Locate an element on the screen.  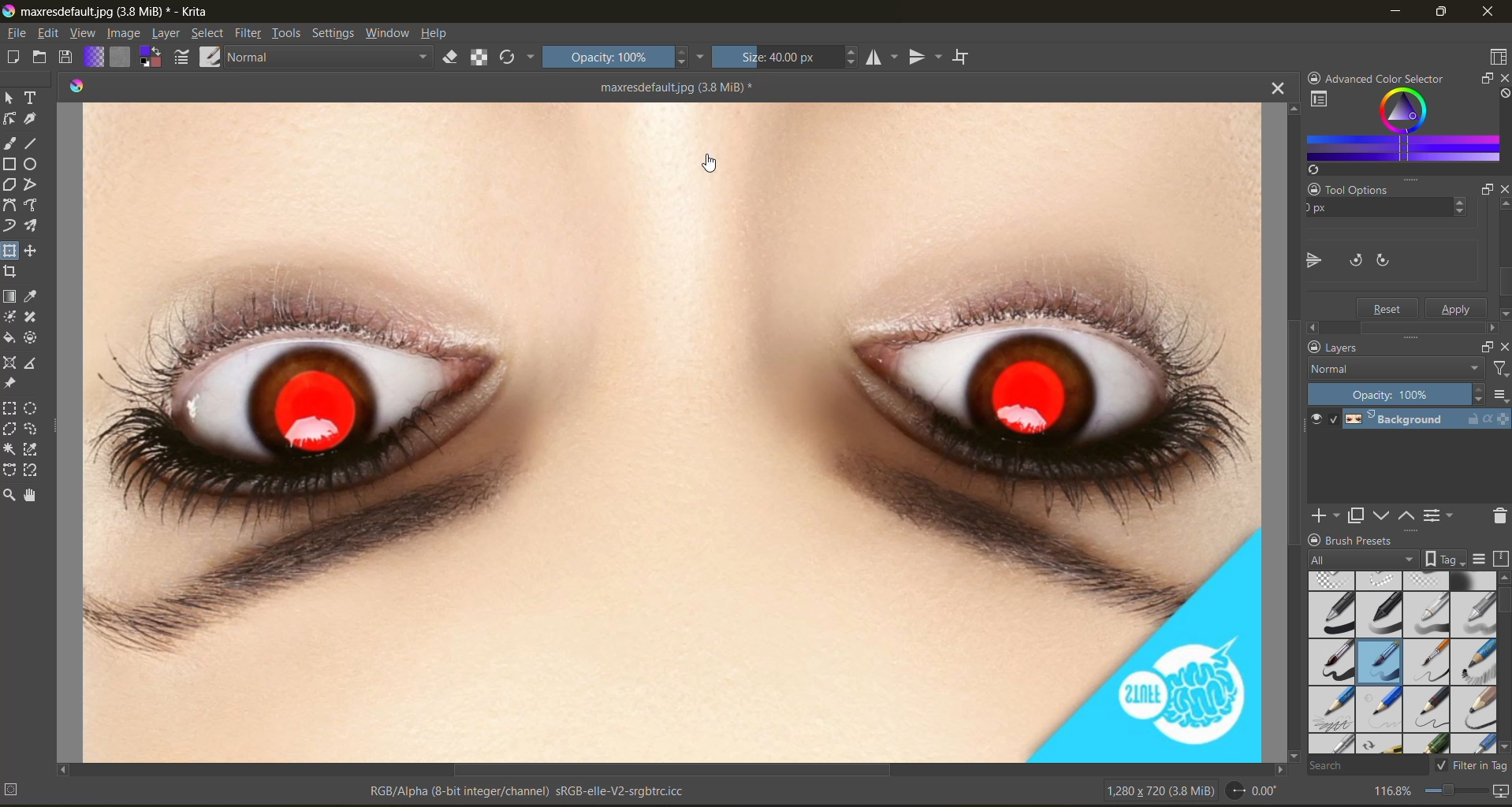
opacity is located at coordinates (1397, 393).